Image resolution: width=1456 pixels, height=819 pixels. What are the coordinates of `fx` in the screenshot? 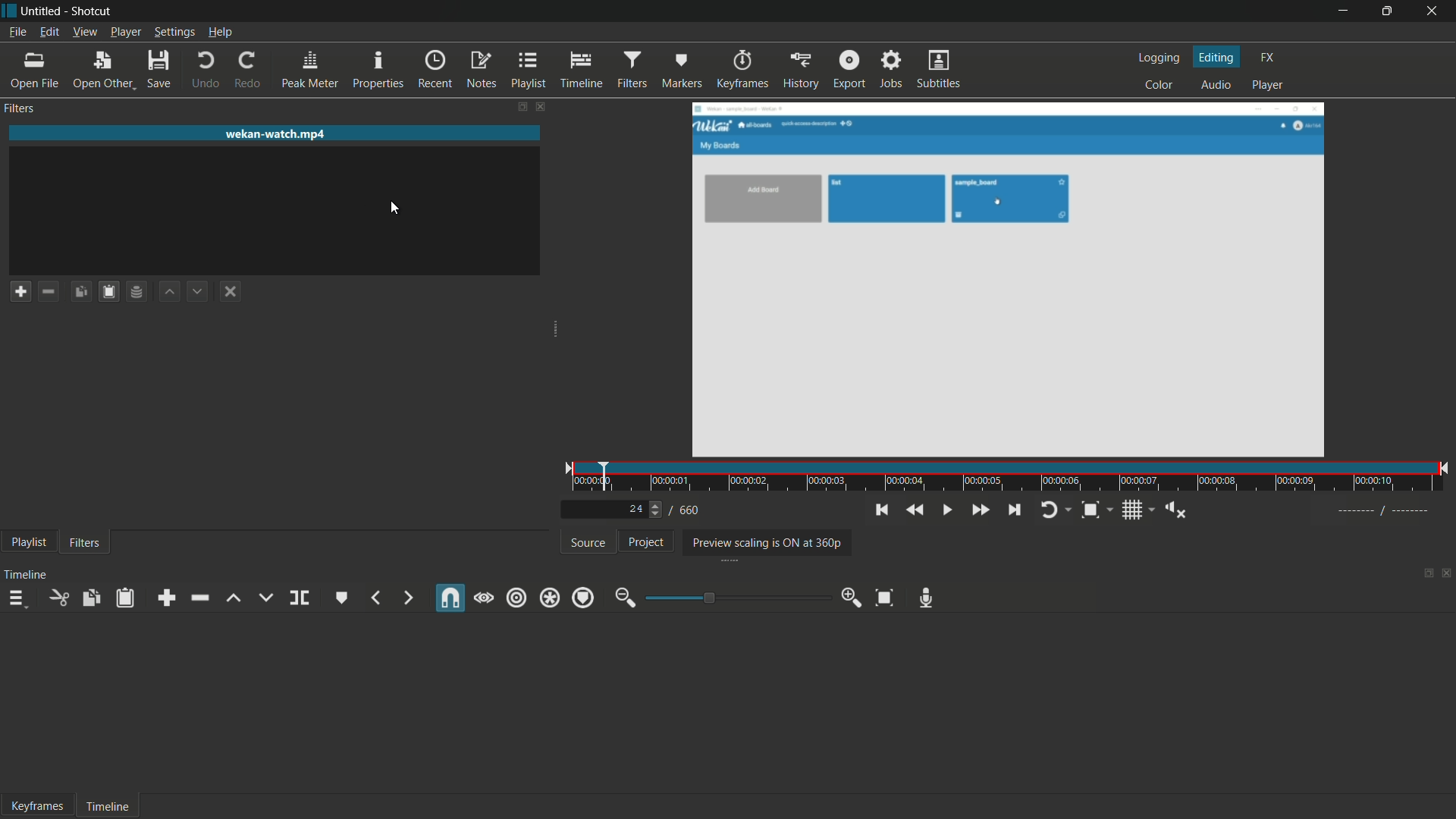 It's located at (1267, 55).